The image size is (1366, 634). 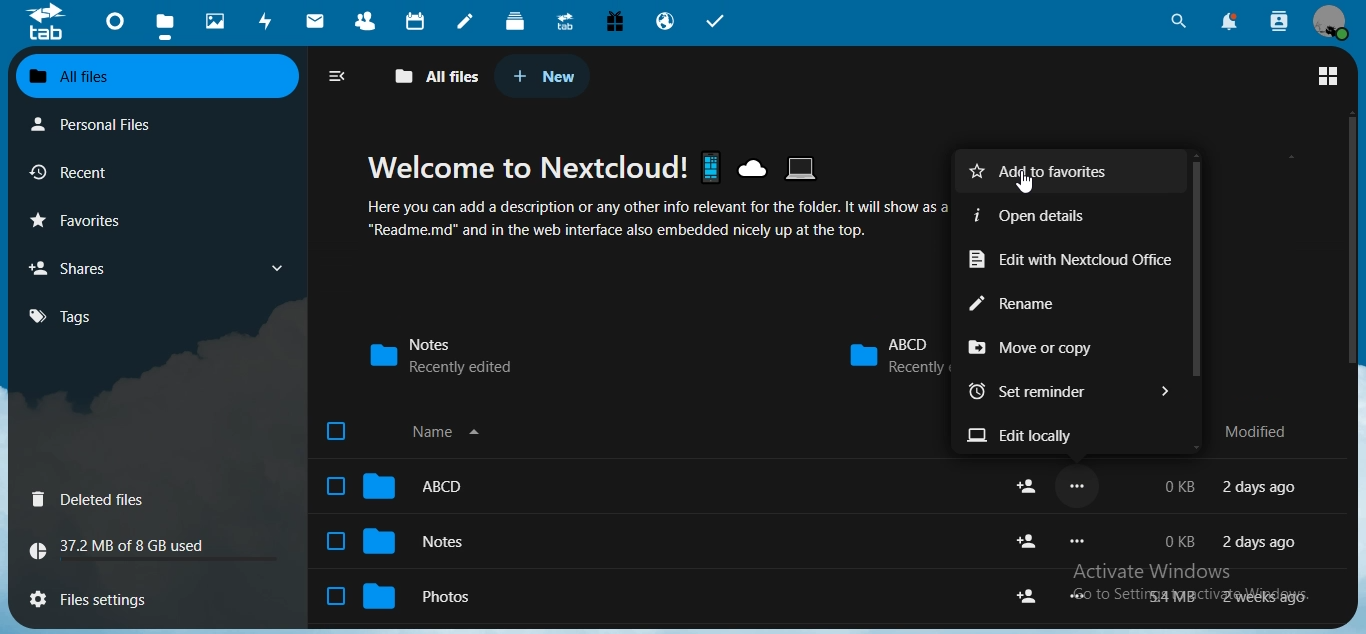 What do you see at coordinates (1045, 173) in the screenshot?
I see `add to favorites` at bounding box center [1045, 173].